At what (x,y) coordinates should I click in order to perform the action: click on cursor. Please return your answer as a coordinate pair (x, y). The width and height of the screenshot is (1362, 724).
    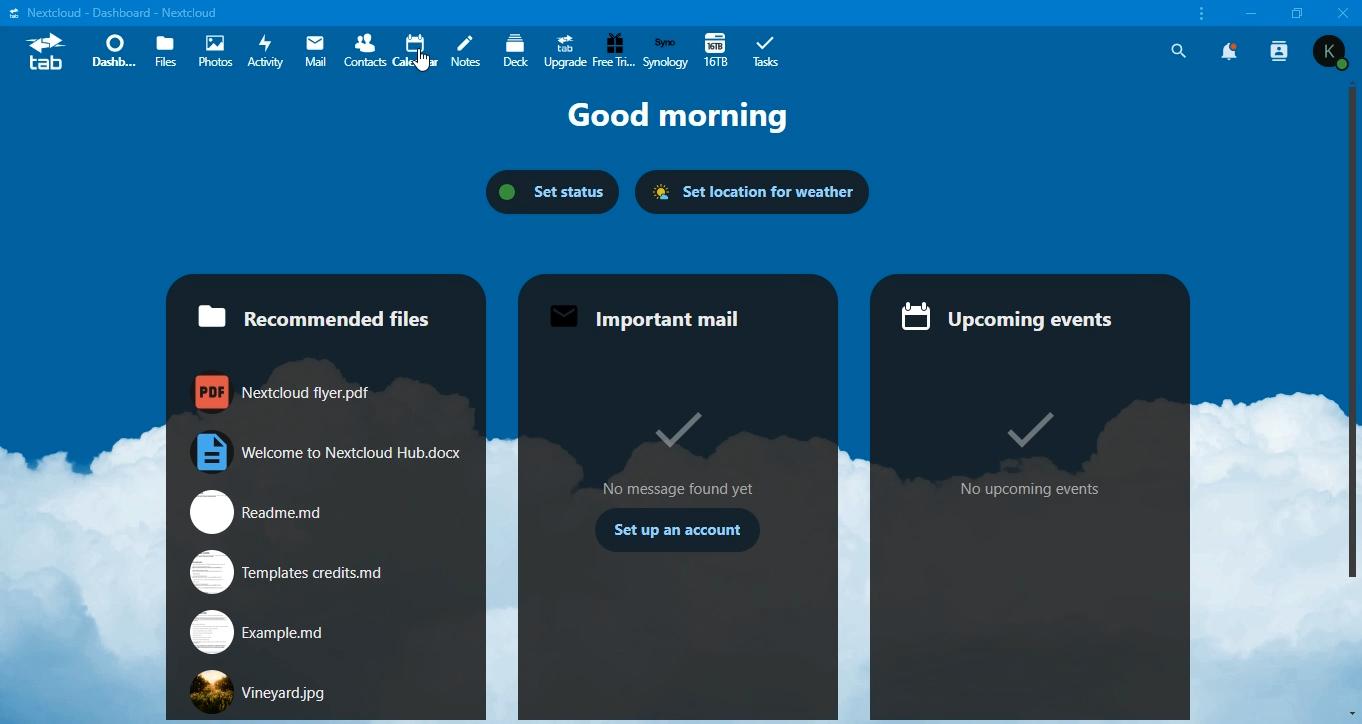
    Looking at the image, I should click on (423, 64).